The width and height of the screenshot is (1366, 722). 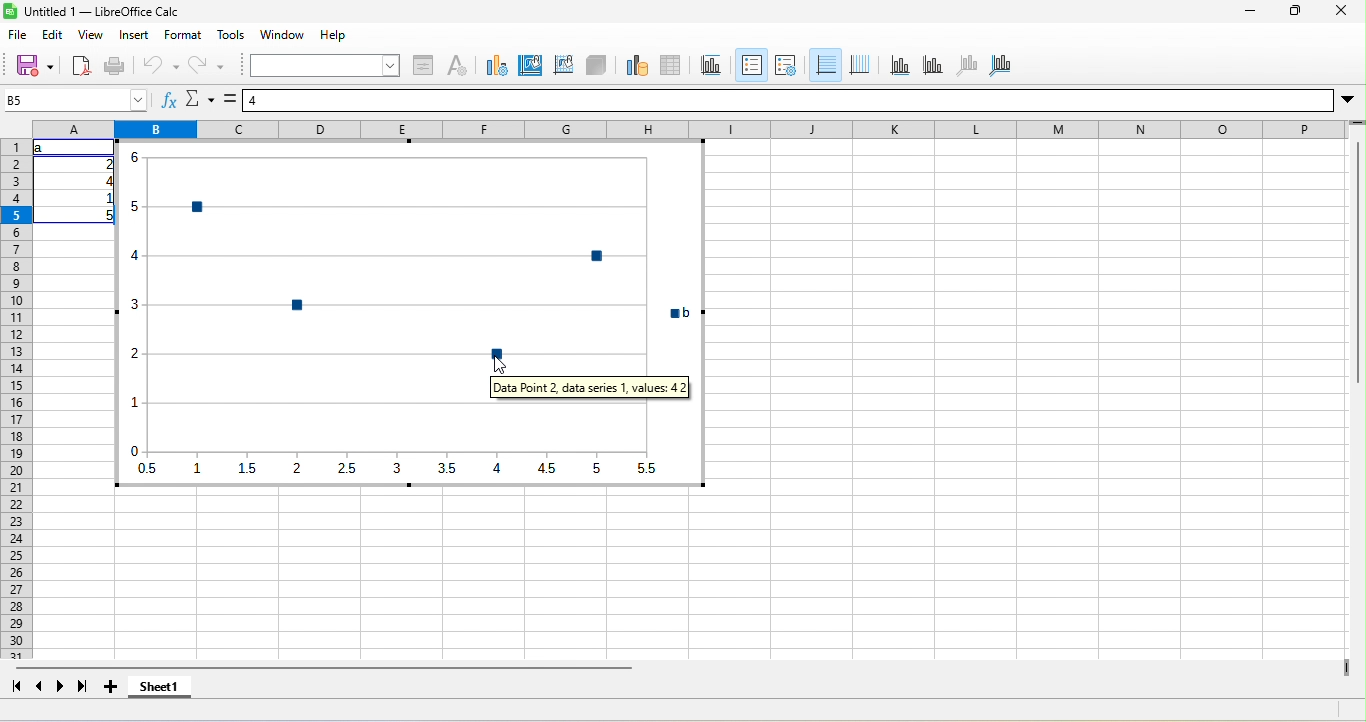 What do you see at coordinates (134, 35) in the screenshot?
I see `insert` at bounding box center [134, 35].